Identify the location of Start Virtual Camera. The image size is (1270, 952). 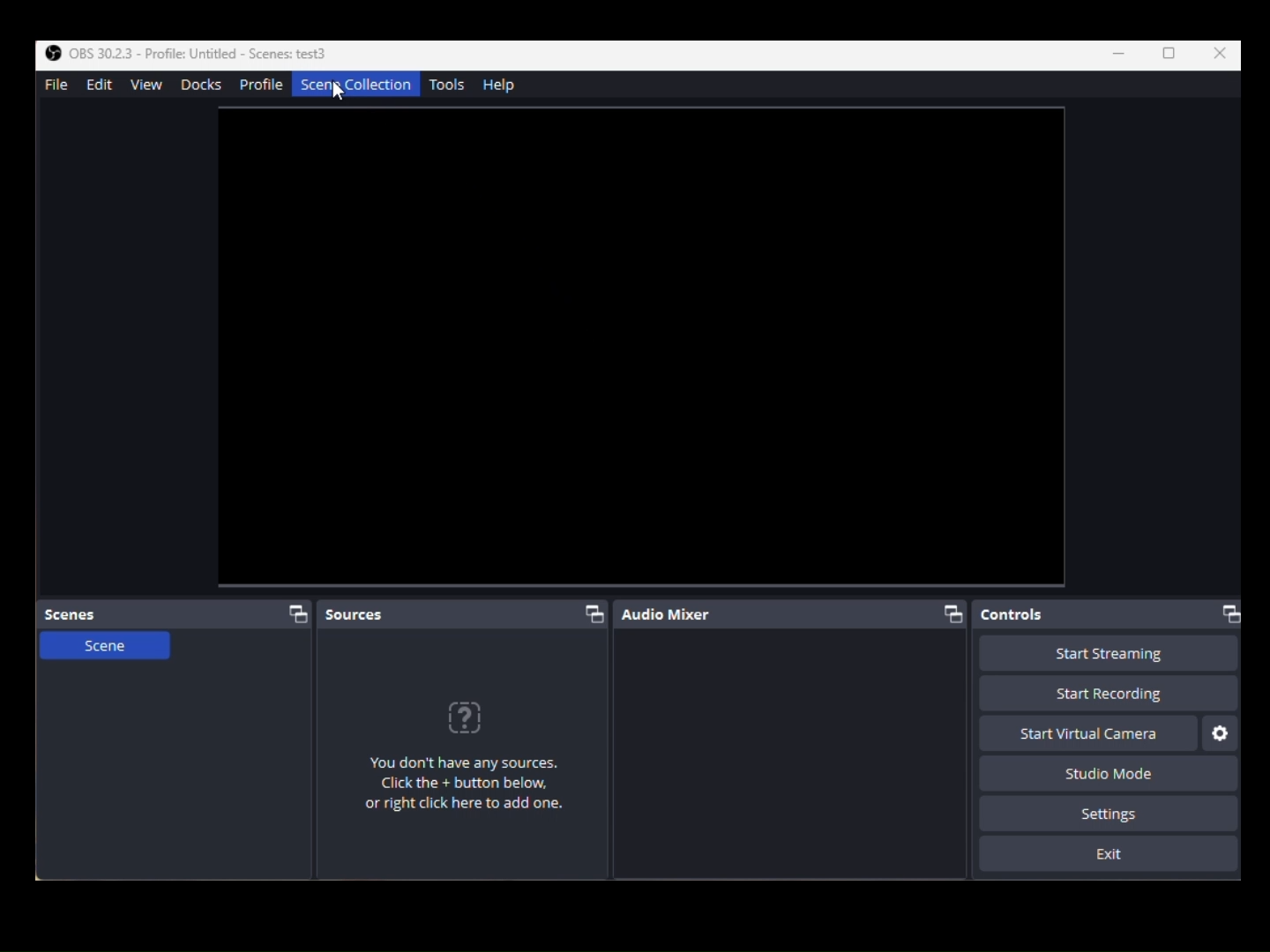
(1088, 733).